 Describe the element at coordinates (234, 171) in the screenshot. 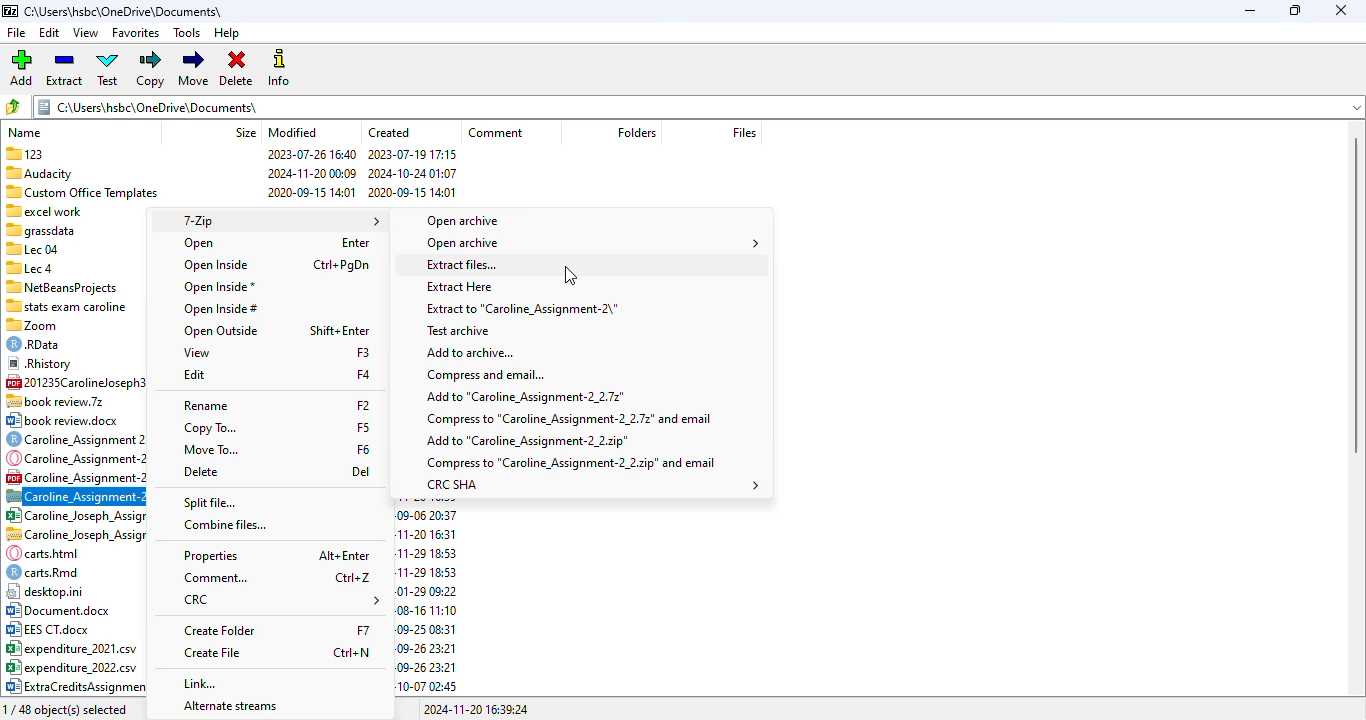

I see `88 Audacity 2024-11-2000:09 2024-10-24 01:07` at that location.